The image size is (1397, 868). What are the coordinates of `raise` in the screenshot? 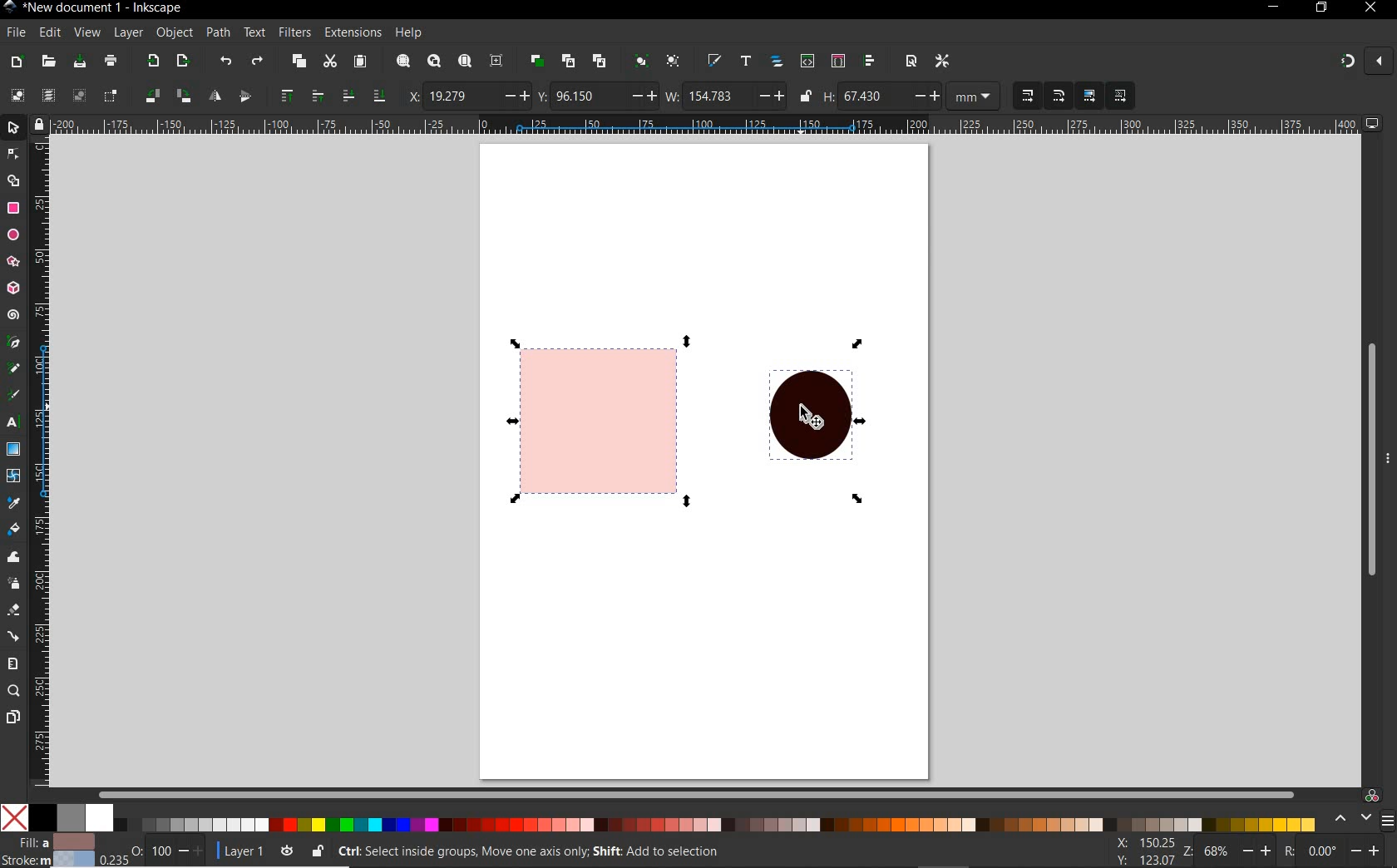 It's located at (316, 94).